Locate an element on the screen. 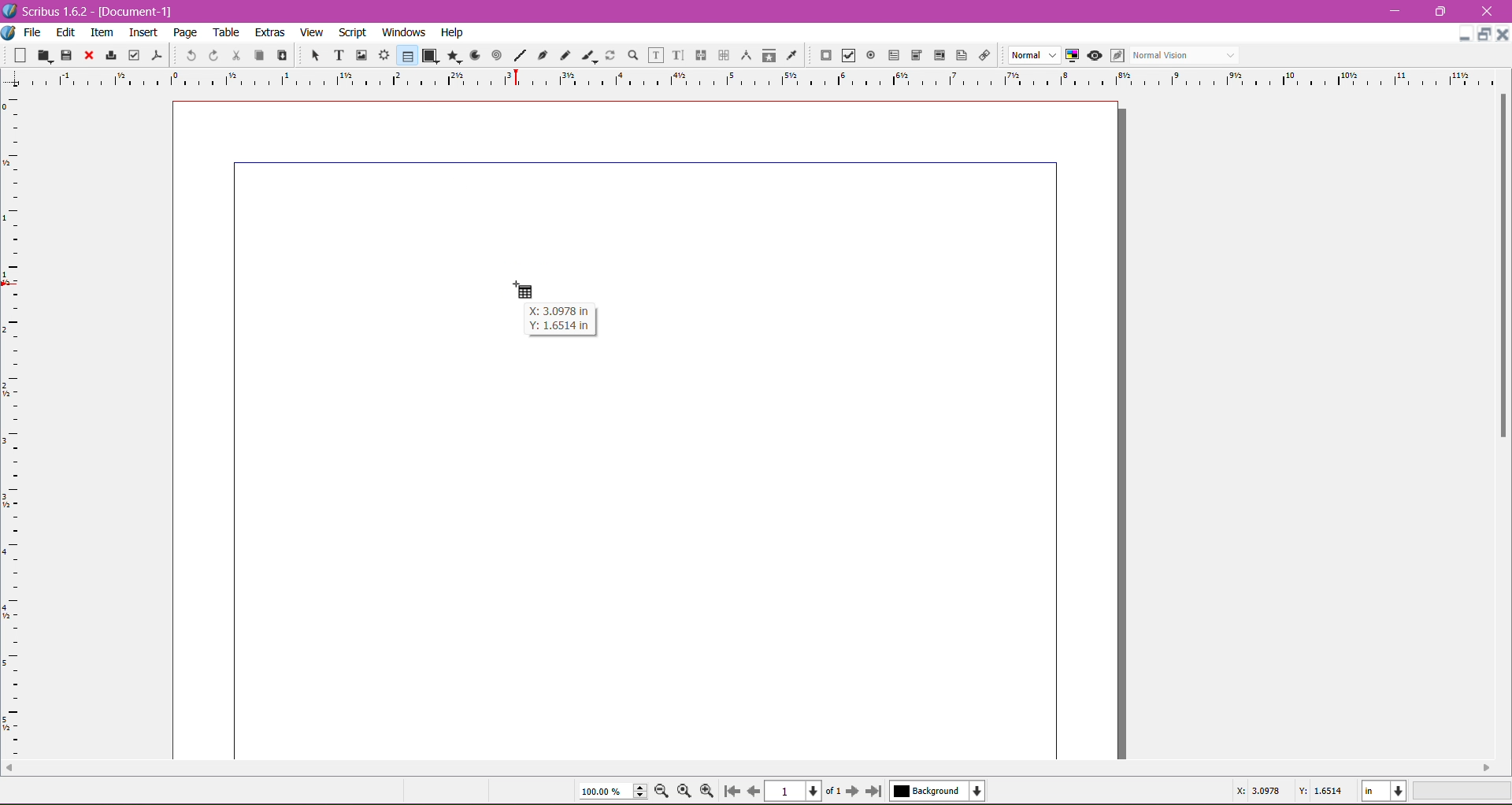 The width and height of the screenshot is (1512, 805). First Page is located at coordinates (731, 793).